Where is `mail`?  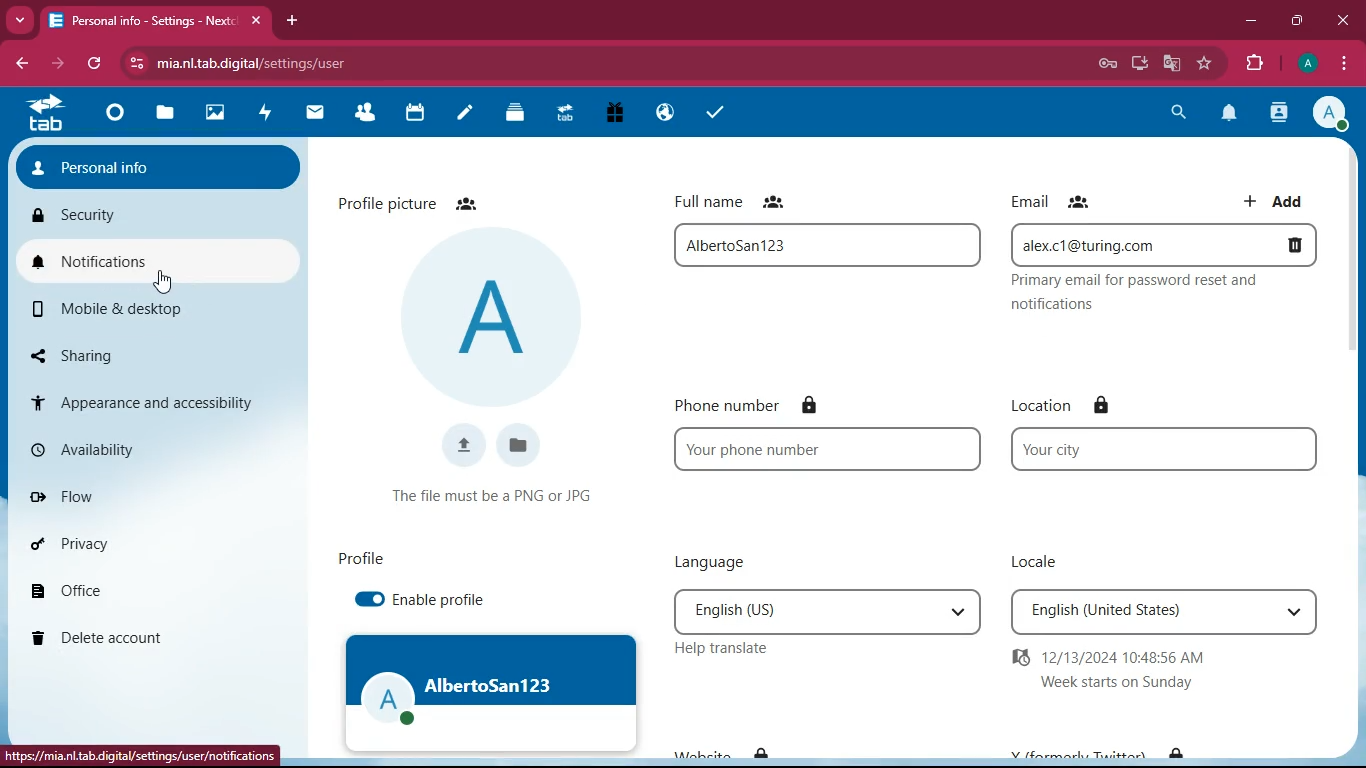
mail is located at coordinates (315, 114).